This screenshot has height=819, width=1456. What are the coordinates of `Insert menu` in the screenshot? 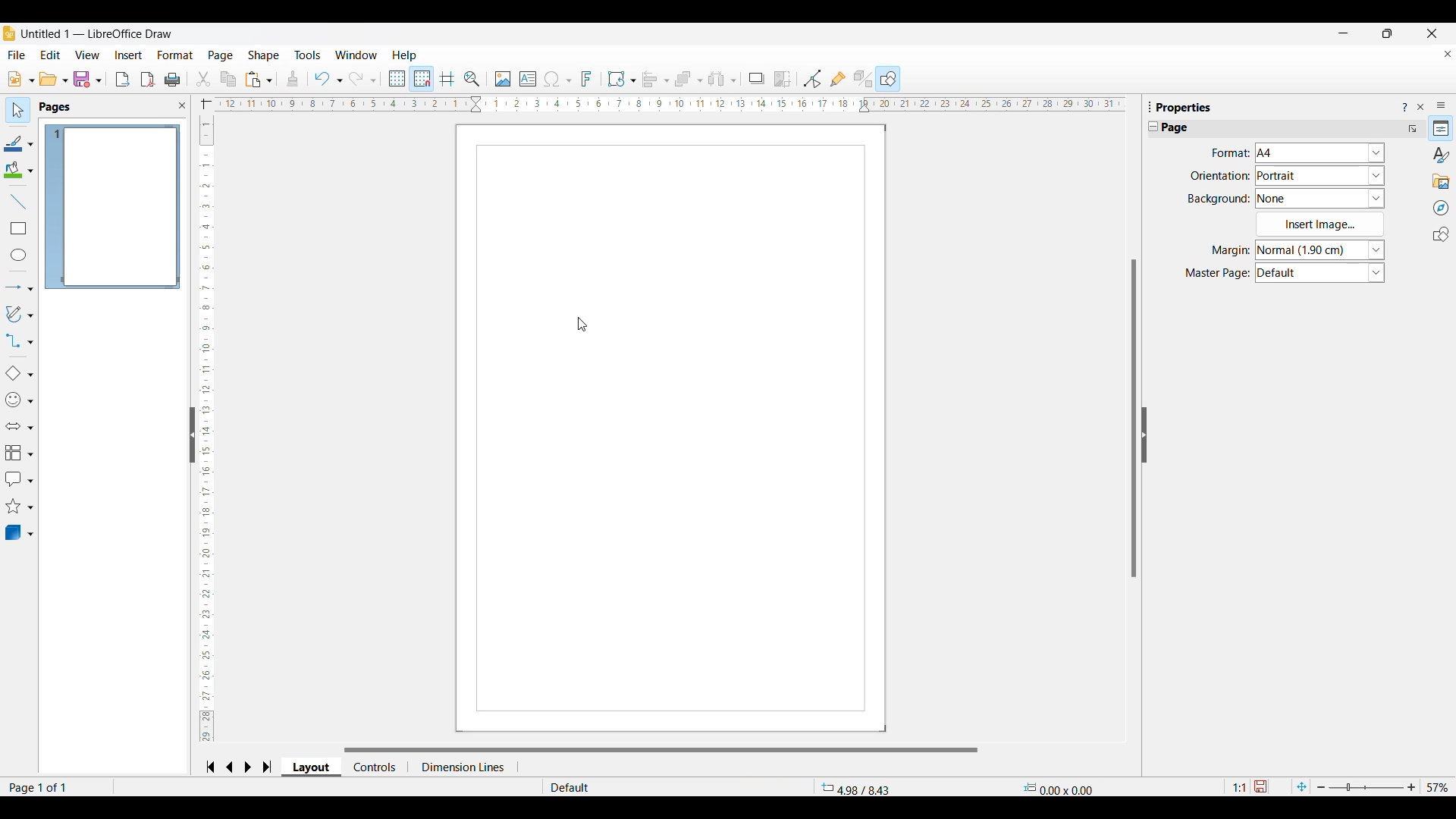 It's located at (129, 55).